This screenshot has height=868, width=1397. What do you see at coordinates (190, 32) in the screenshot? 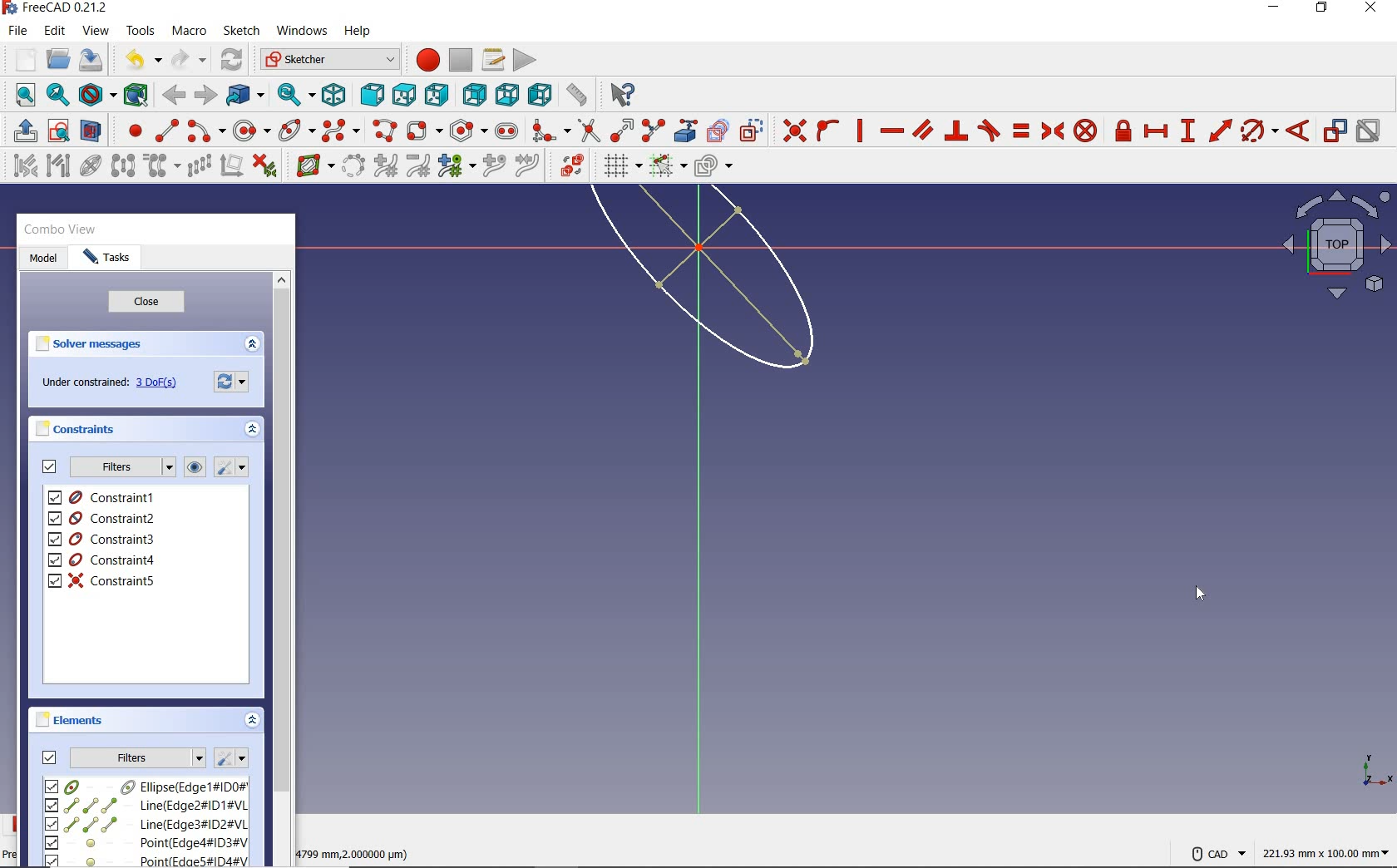
I see `macro` at bounding box center [190, 32].